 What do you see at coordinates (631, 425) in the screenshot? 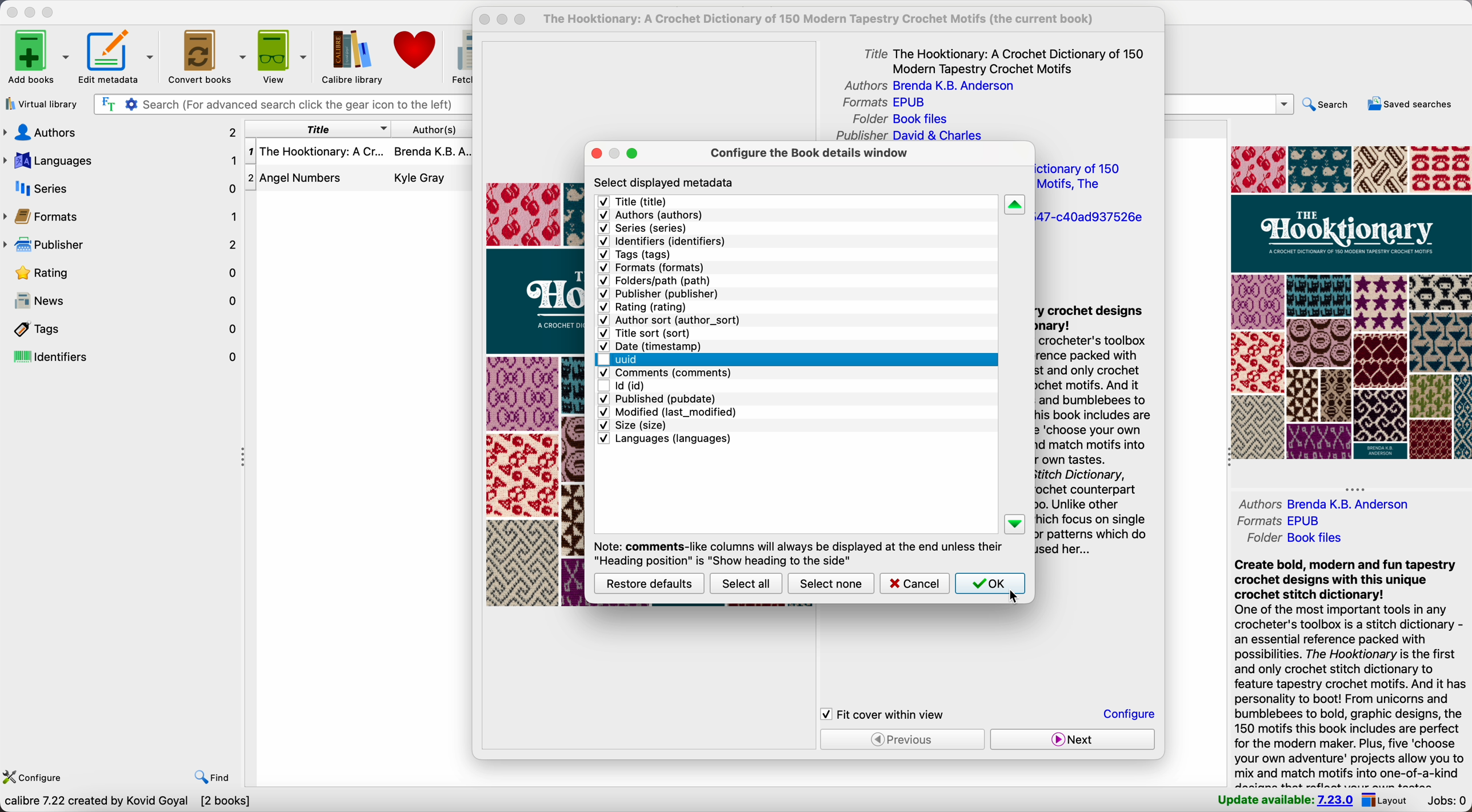
I see `size` at bounding box center [631, 425].